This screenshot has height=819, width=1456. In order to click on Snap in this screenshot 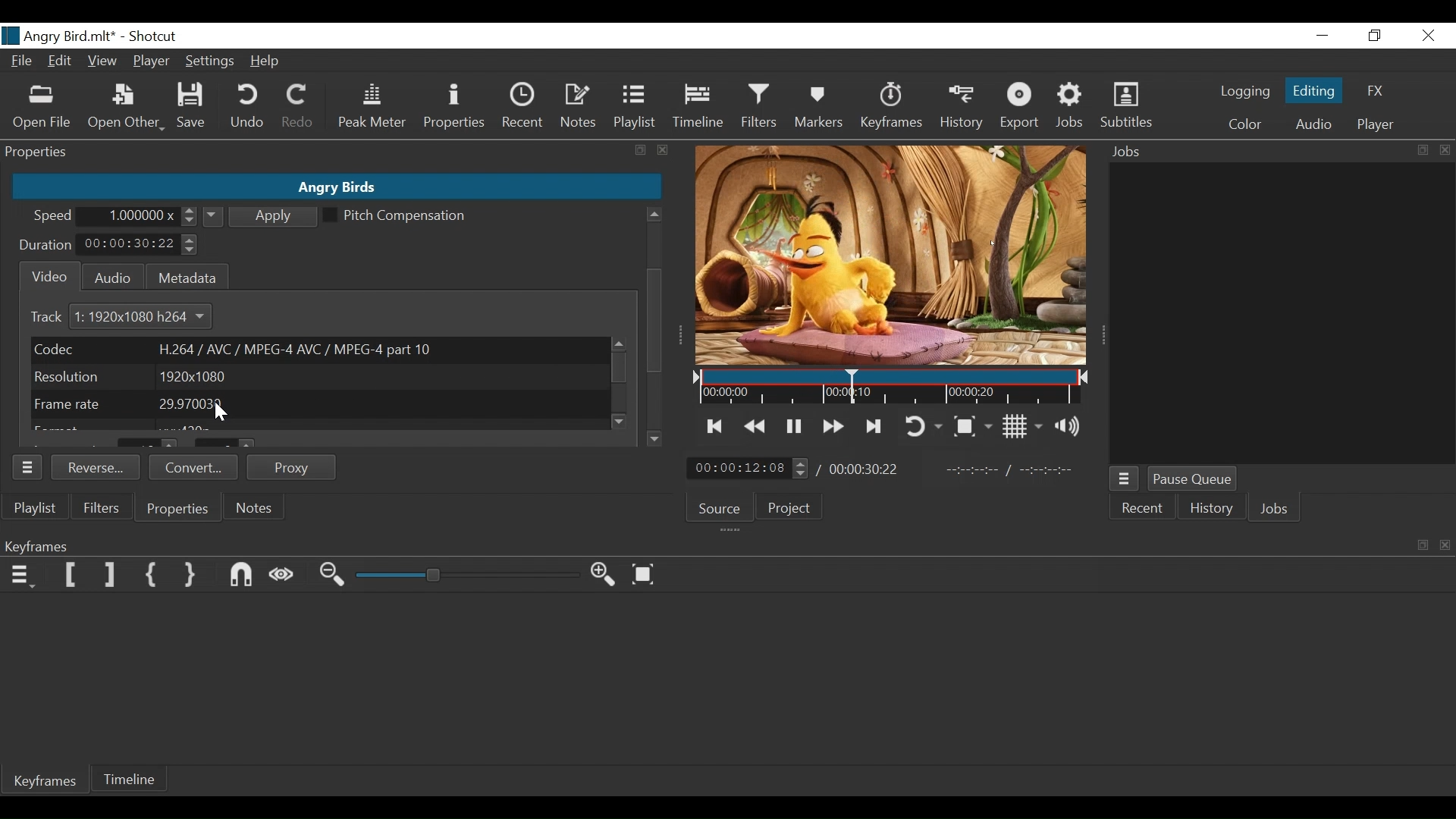, I will do `click(242, 576)`.